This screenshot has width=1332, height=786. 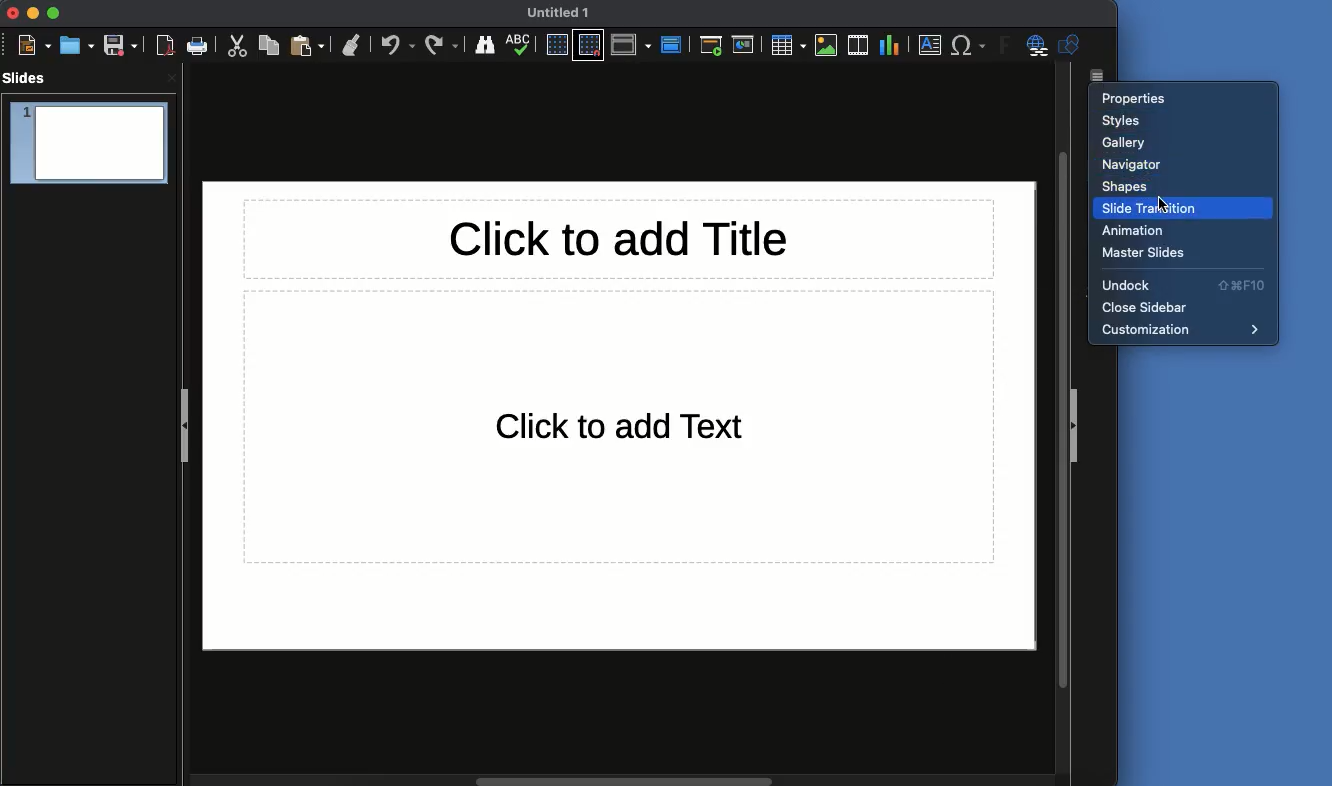 What do you see at coordinates (1062, 418) in the screenshot?
I see `Scroll` at bounding box center [1062, 418].